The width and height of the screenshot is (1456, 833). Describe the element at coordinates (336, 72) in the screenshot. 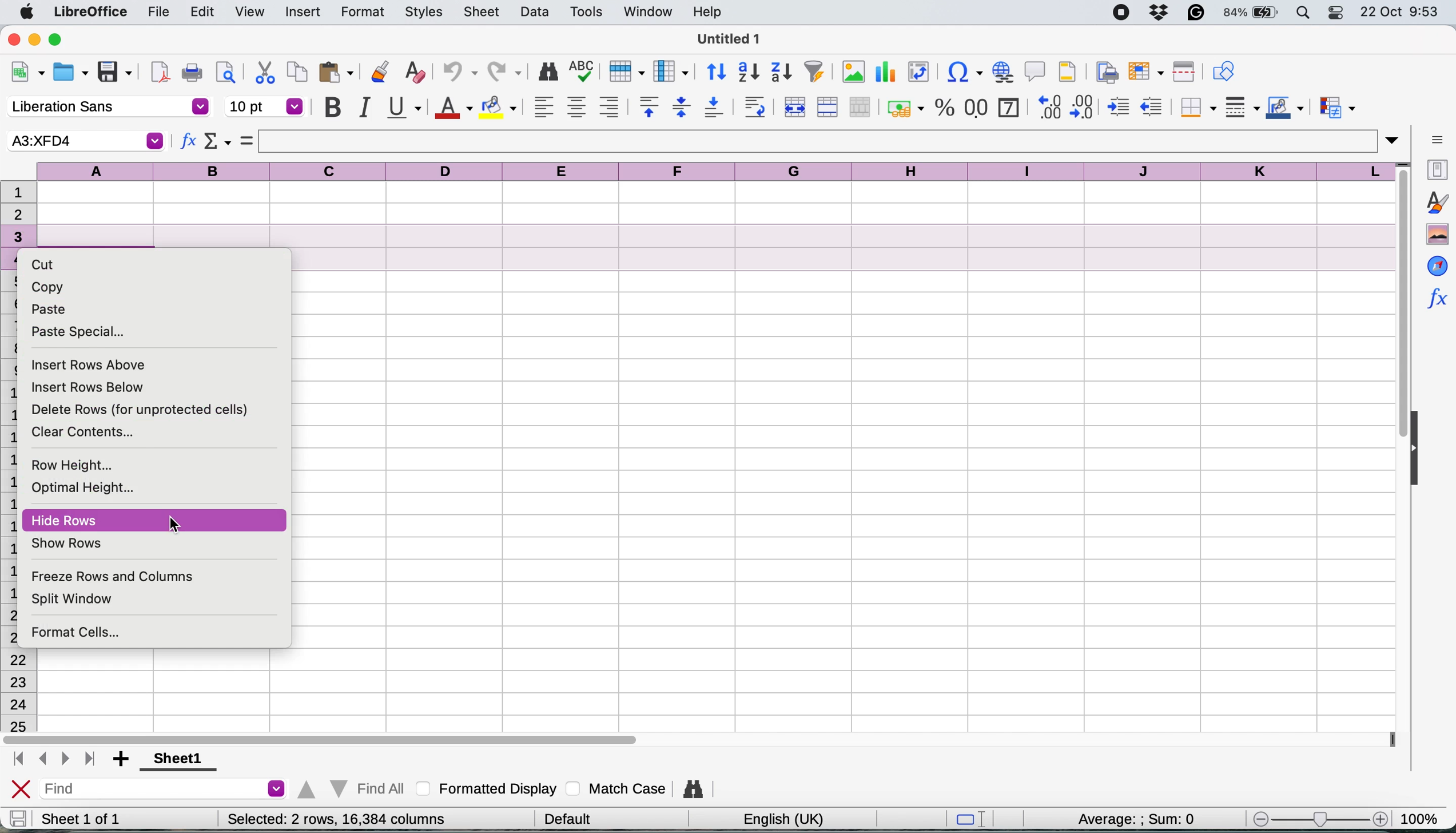

I see `paste` at that location.